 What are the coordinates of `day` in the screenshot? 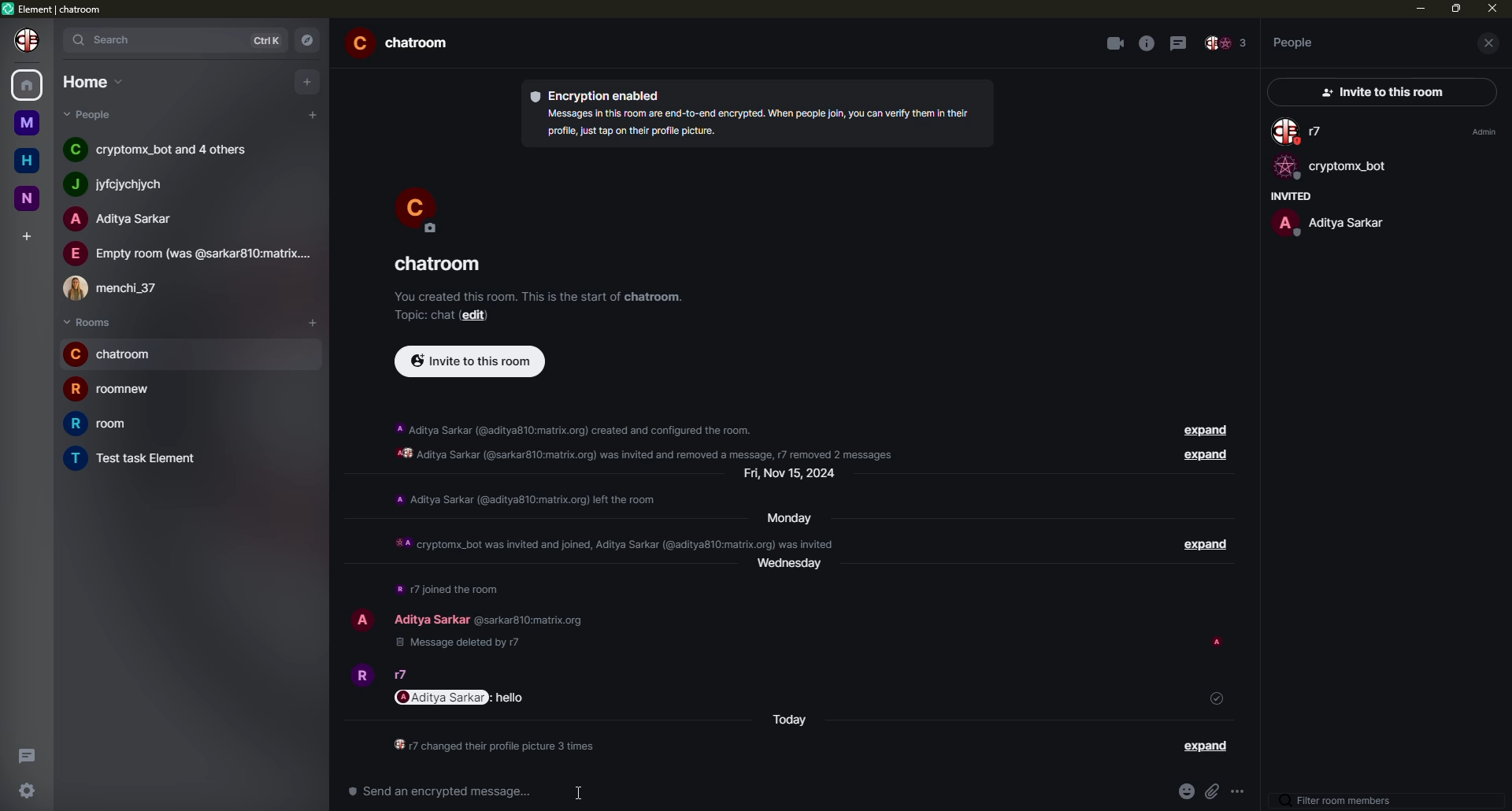 It's located at (795, 475).